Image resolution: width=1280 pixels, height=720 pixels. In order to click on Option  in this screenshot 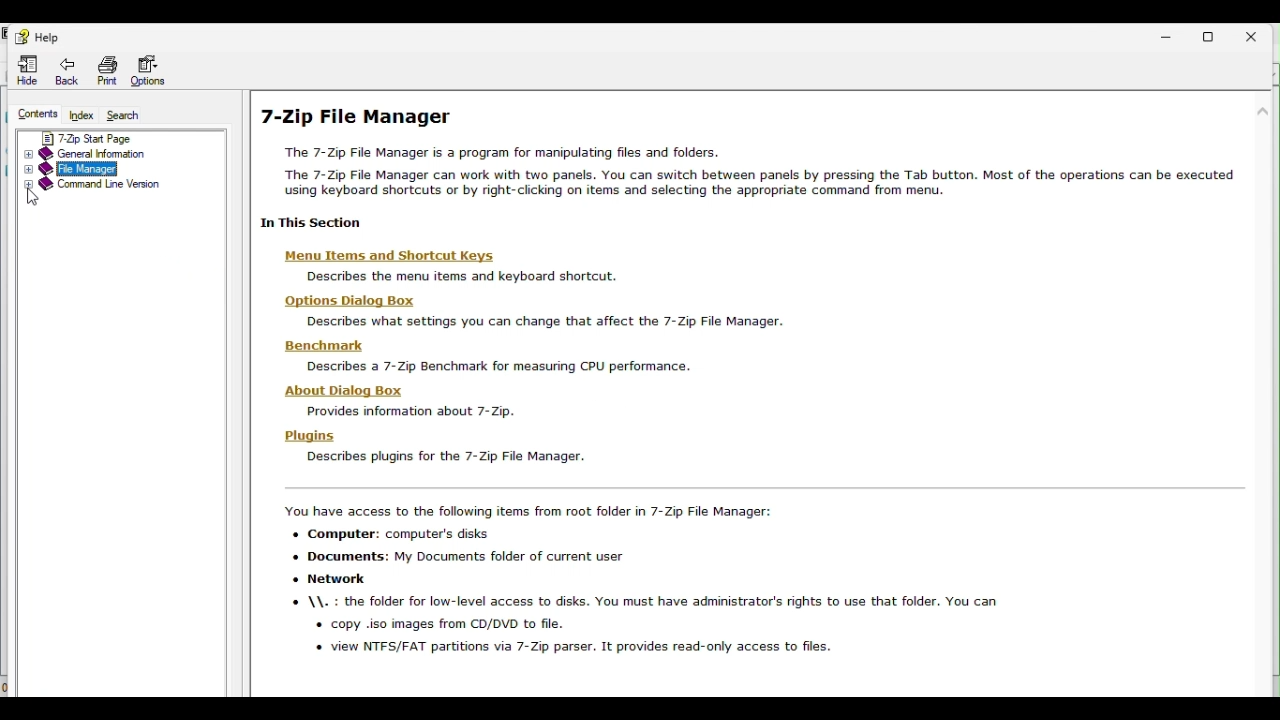, I will do `click(149, 69)`.